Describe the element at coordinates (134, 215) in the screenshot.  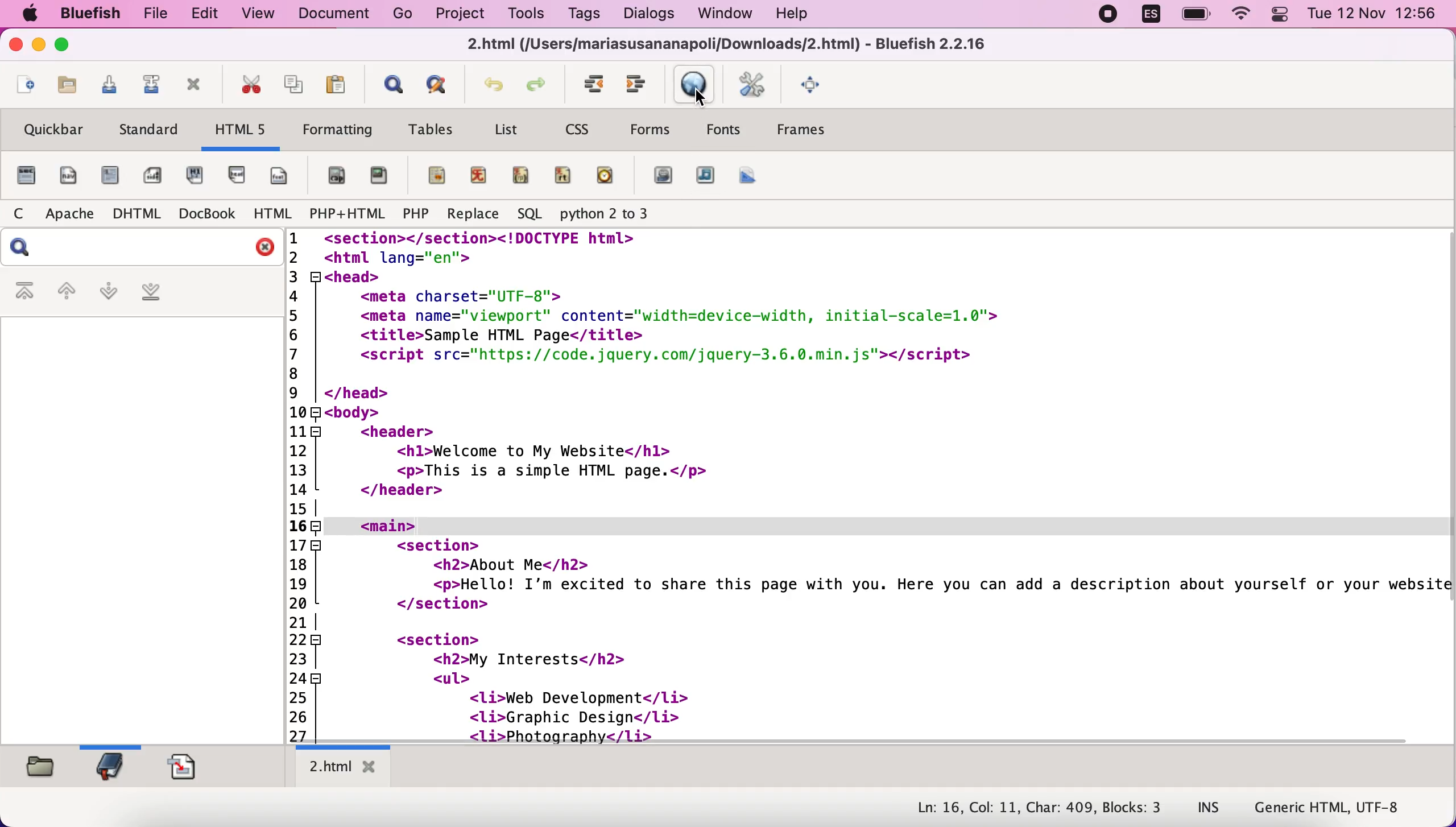
I see `dhtml` at that location.